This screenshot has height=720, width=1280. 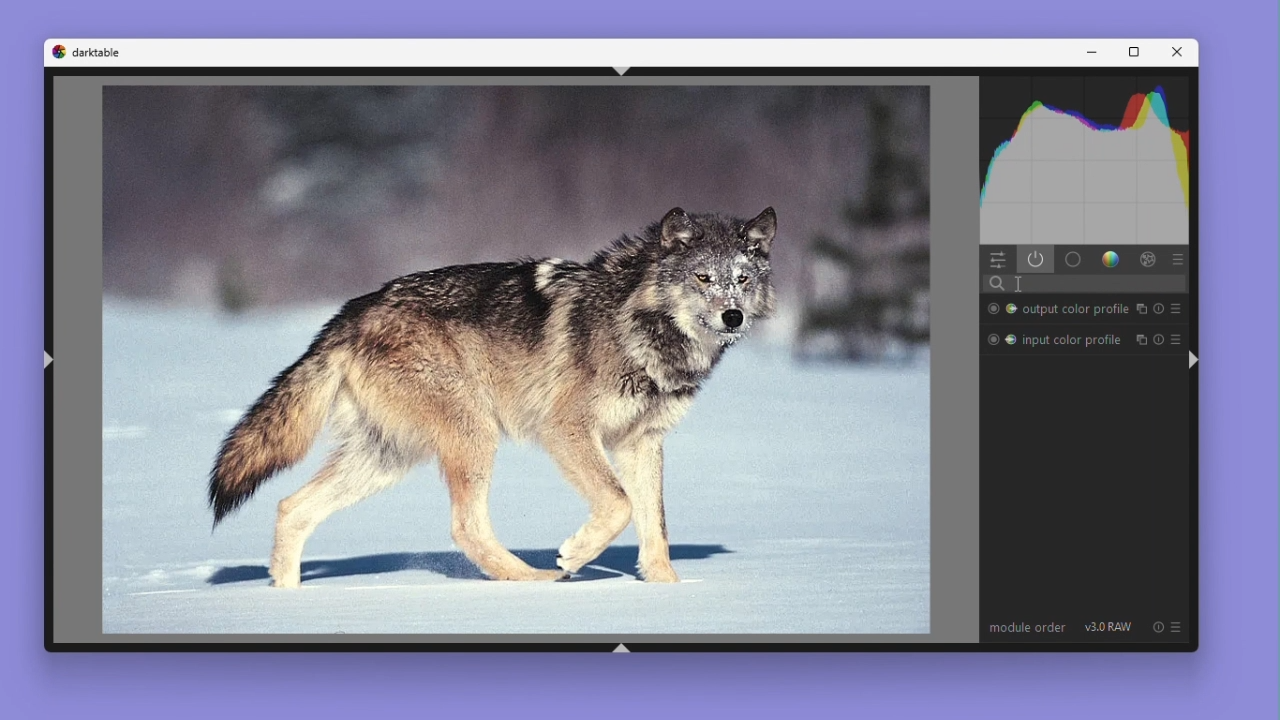 I want to click on Reset, so click(x=1159, y=336).